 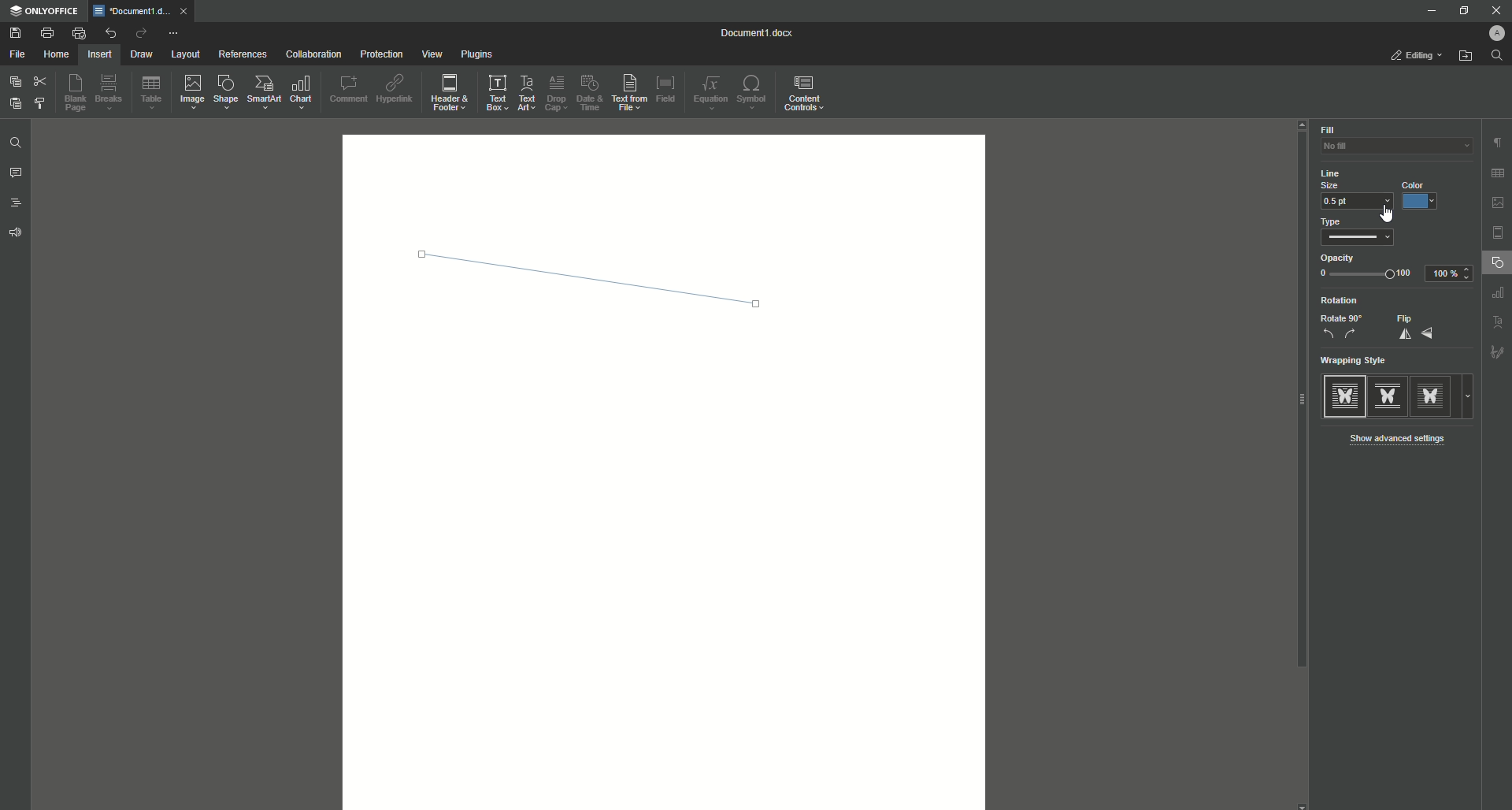 What do you see at coordinates (145, 11) in the screenshot?
I see `tab 1` at bounding box center [145, 11].